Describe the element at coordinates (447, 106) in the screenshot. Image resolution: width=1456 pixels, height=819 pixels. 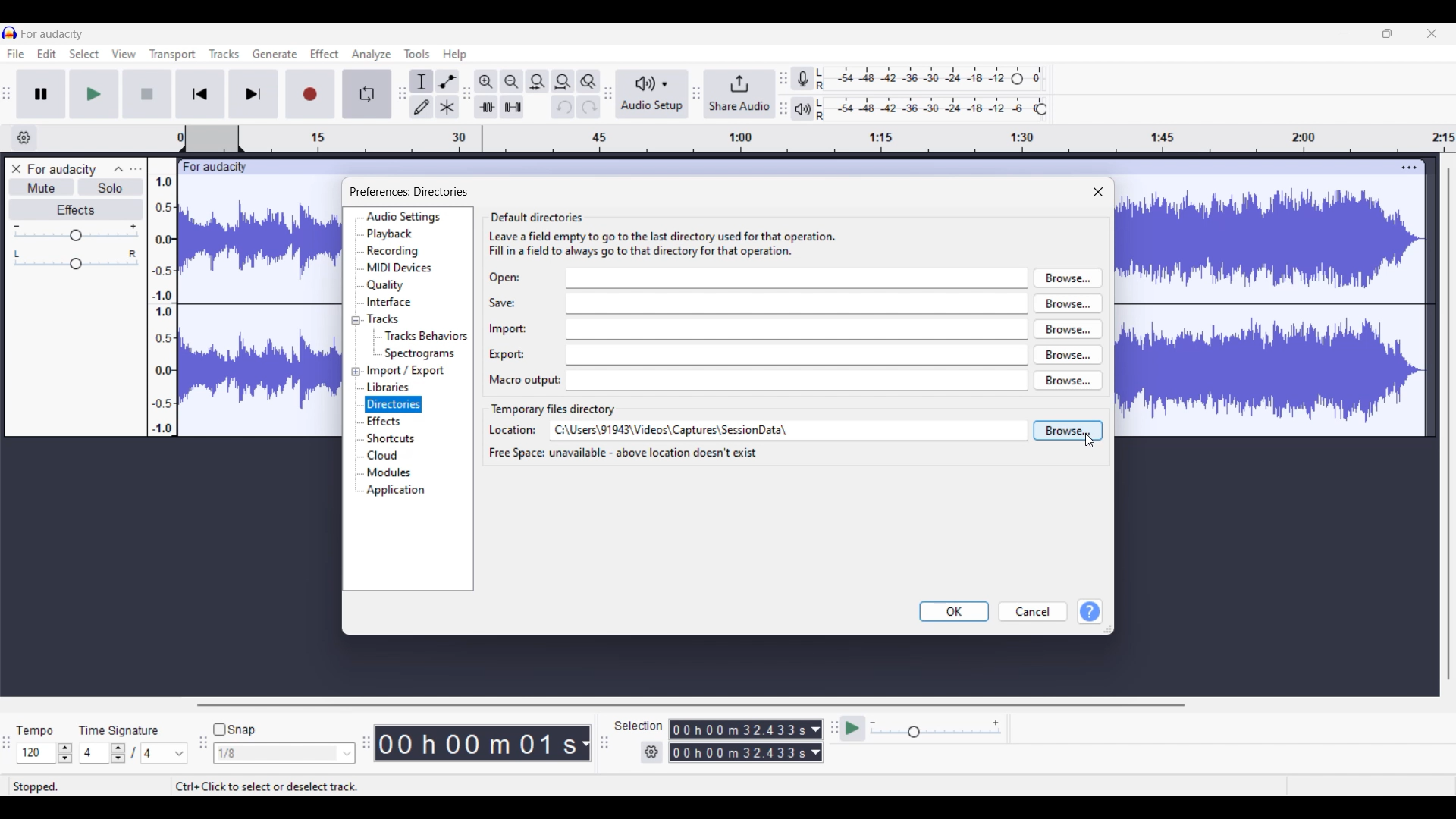
I see `Multi-tool` at that location.